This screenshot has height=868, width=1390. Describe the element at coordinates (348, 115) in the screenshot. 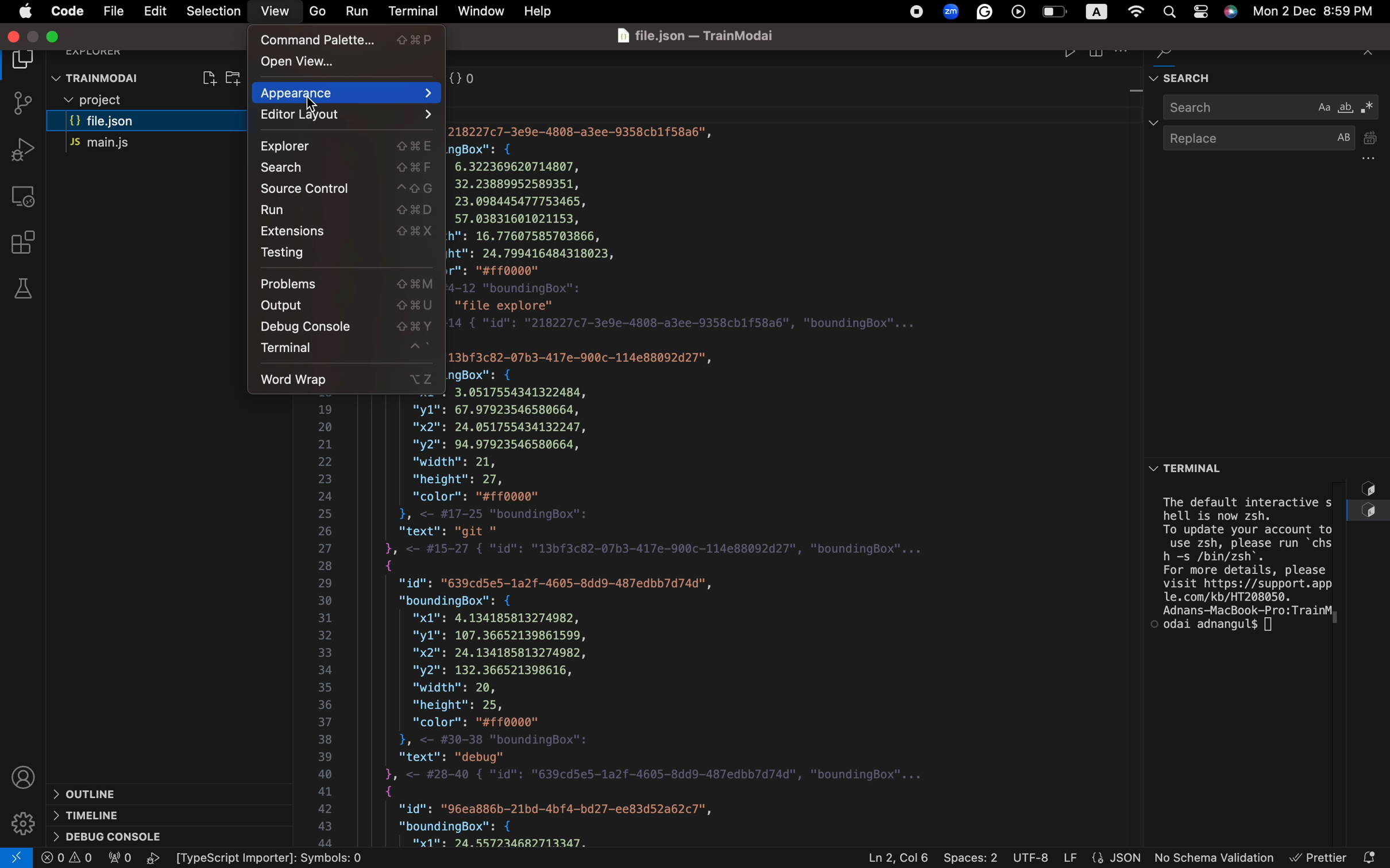

I see `editor layout` at that location.